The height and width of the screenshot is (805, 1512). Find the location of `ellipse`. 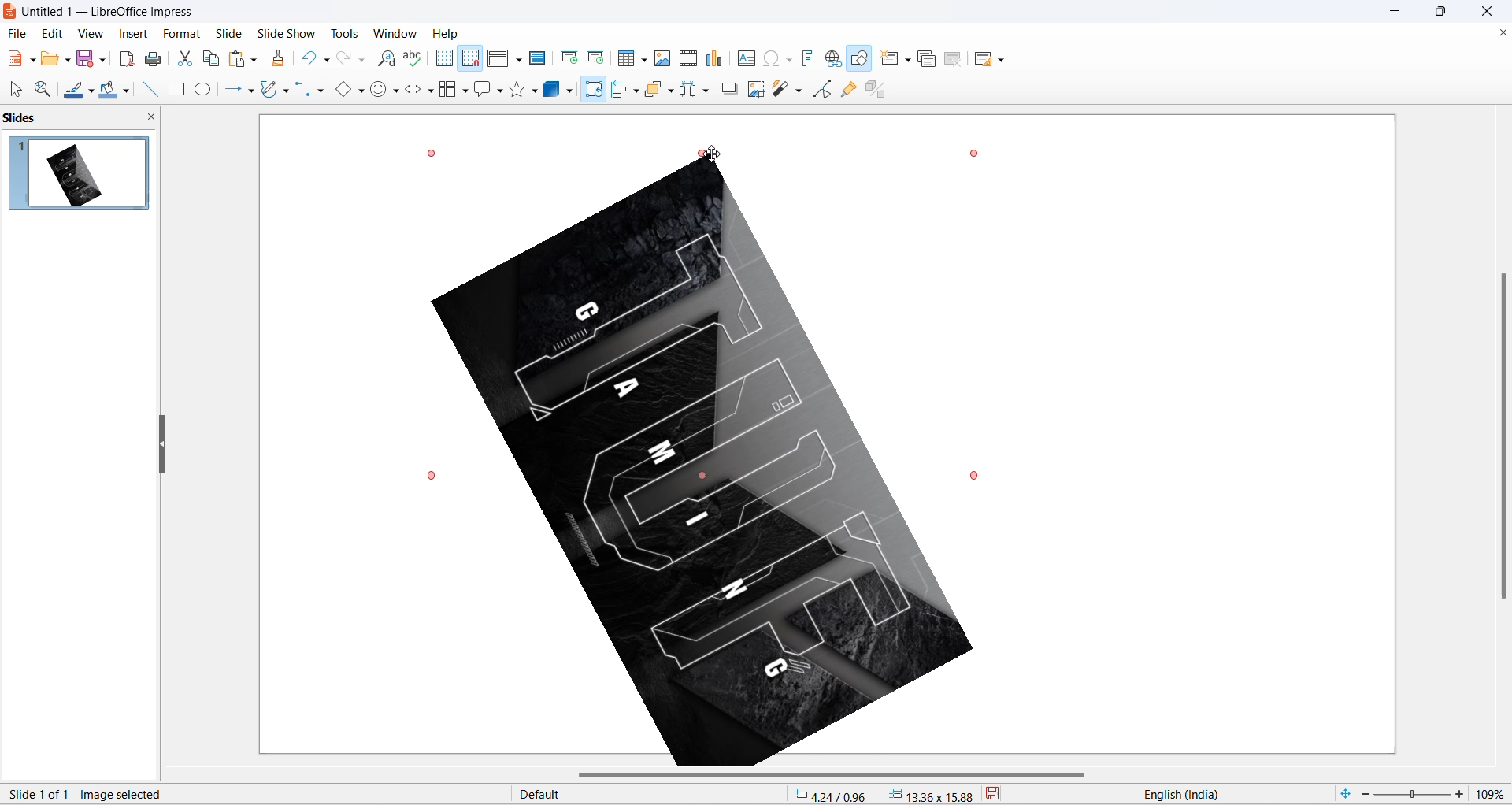

ellipse is located at coordinates (205, 89).